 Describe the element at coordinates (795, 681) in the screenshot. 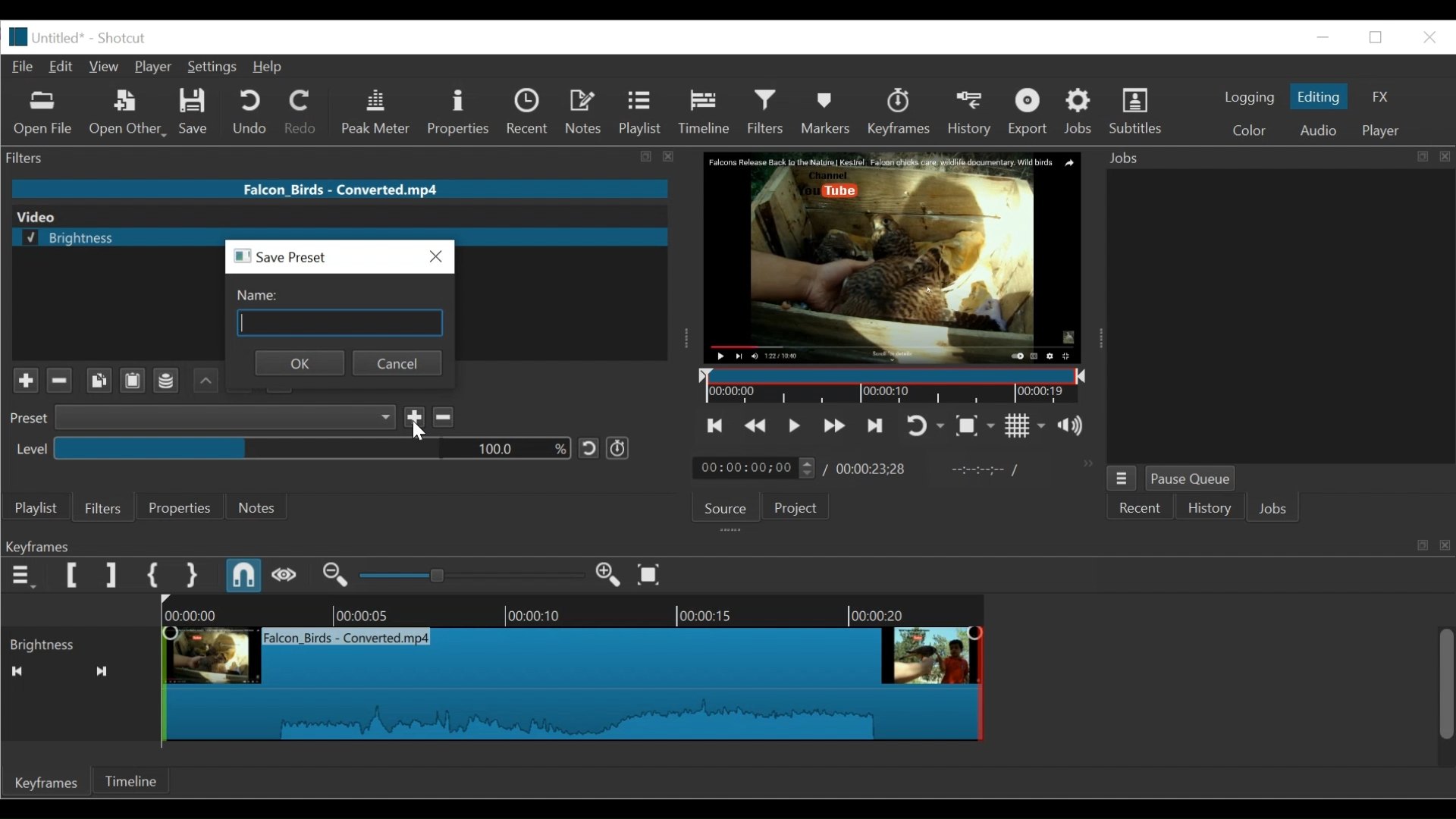

I see `Keyframe` at that location.